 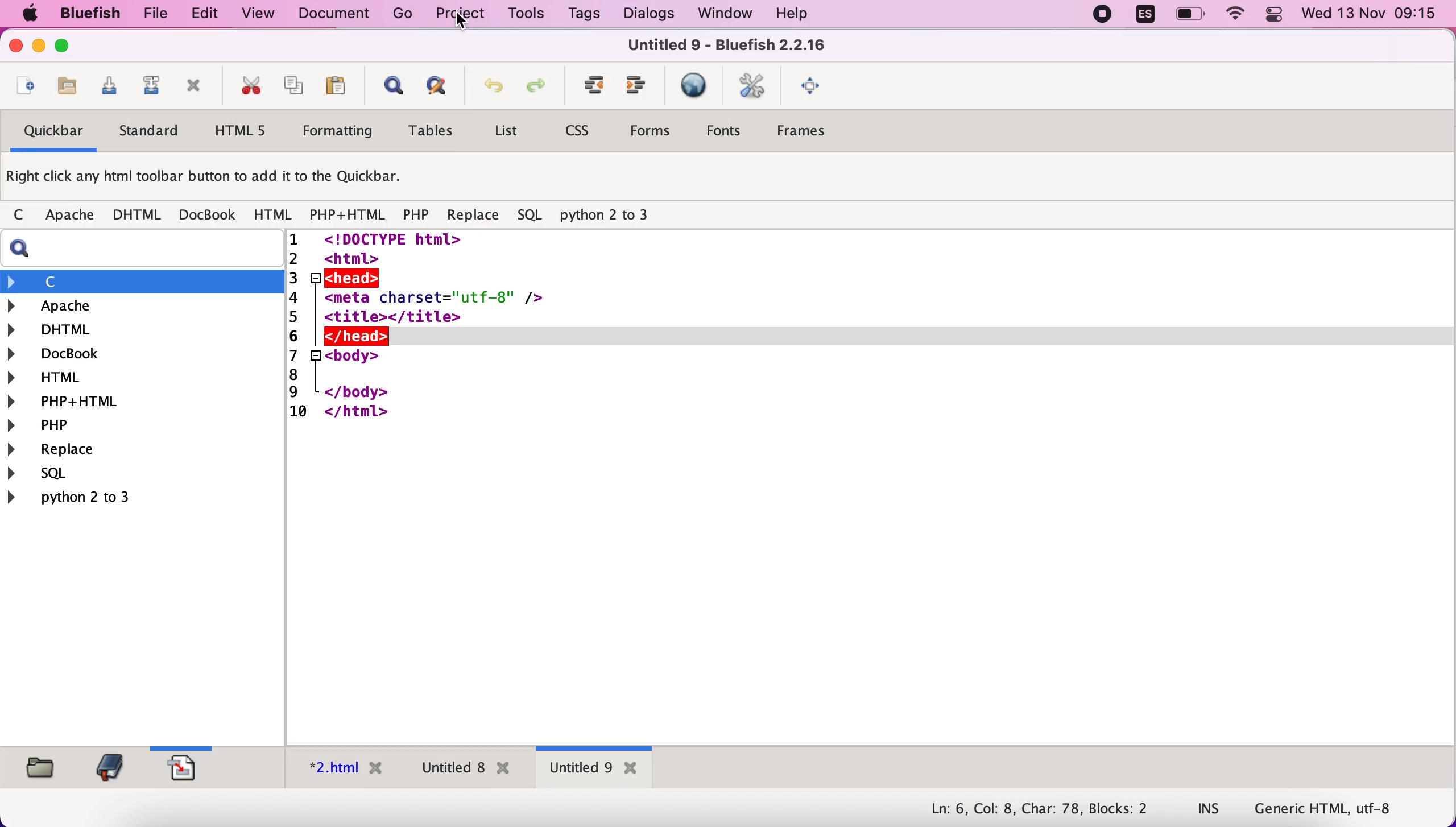 What do you see at coordinates (141, 400) in the screenshot?
I see `php+html` at bounding box center [141, 400].